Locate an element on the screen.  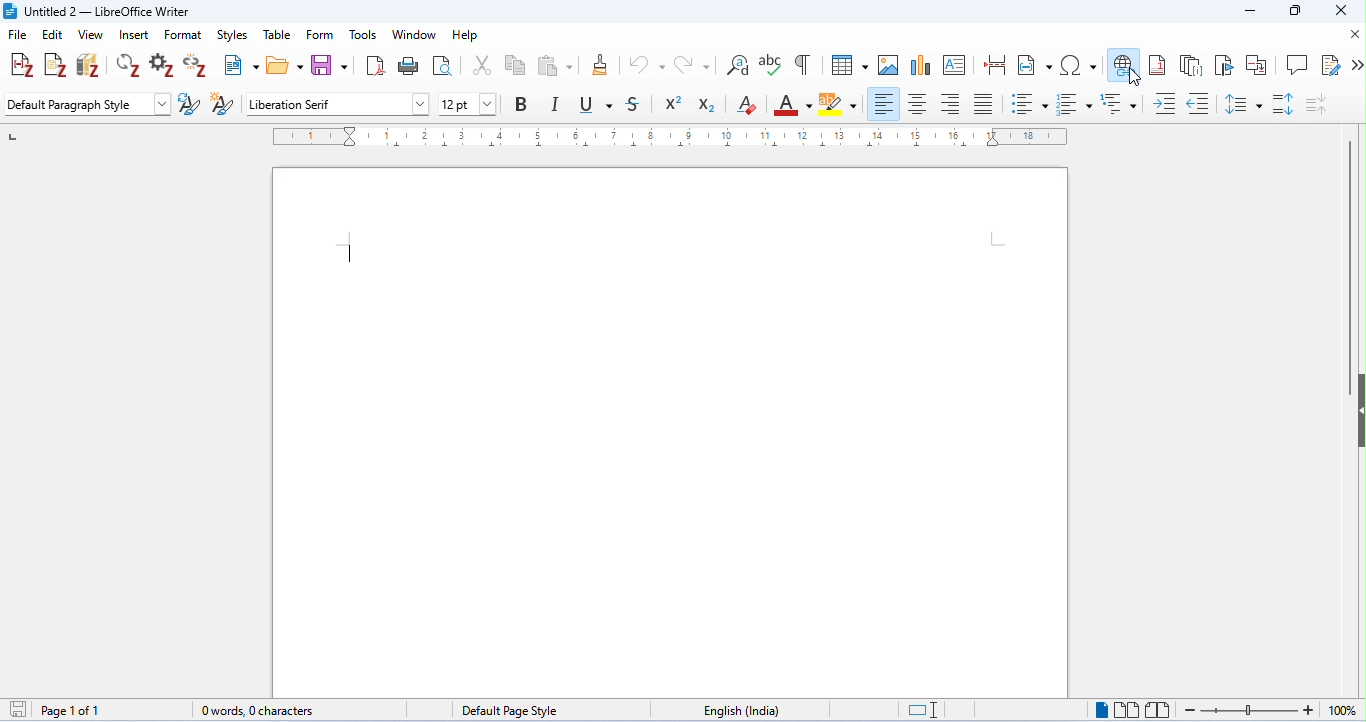
insert page break is located at coordinates (995, 64).